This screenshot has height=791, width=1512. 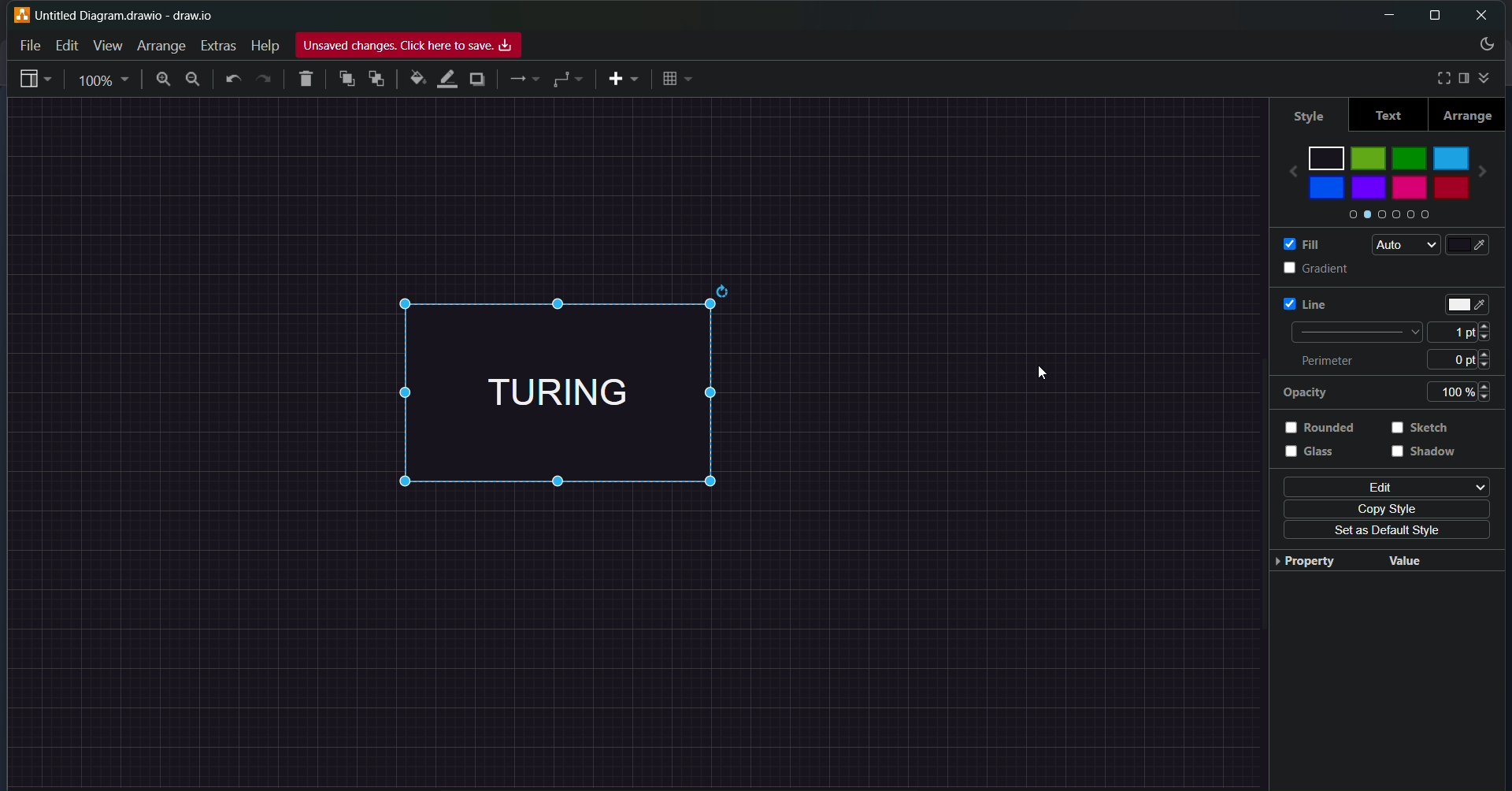 I want to click on line color, so click(x=447, y=77).